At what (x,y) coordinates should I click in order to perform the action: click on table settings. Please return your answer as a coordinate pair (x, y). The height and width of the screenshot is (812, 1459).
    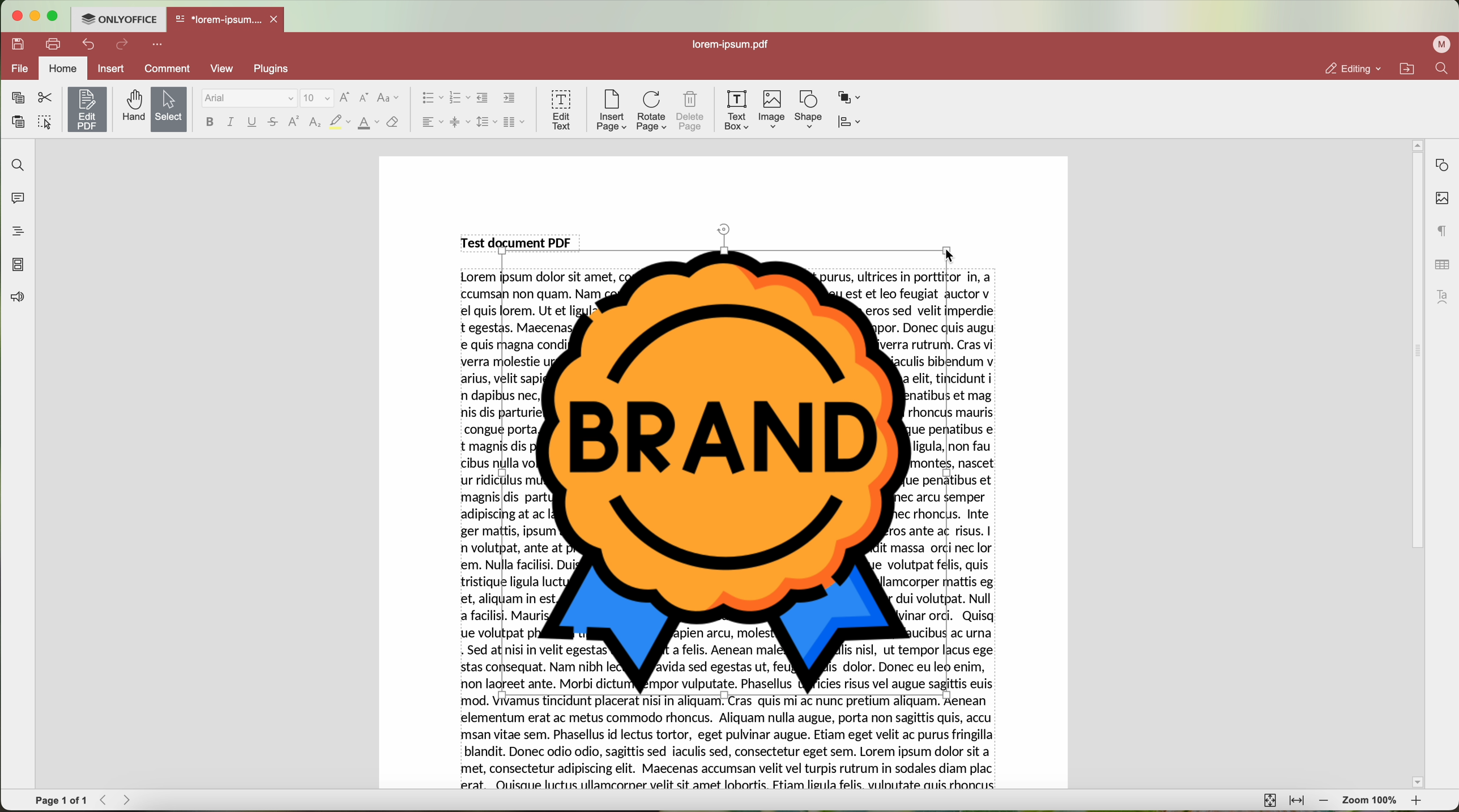
    Looking at the image, I should click on (1442, 264).